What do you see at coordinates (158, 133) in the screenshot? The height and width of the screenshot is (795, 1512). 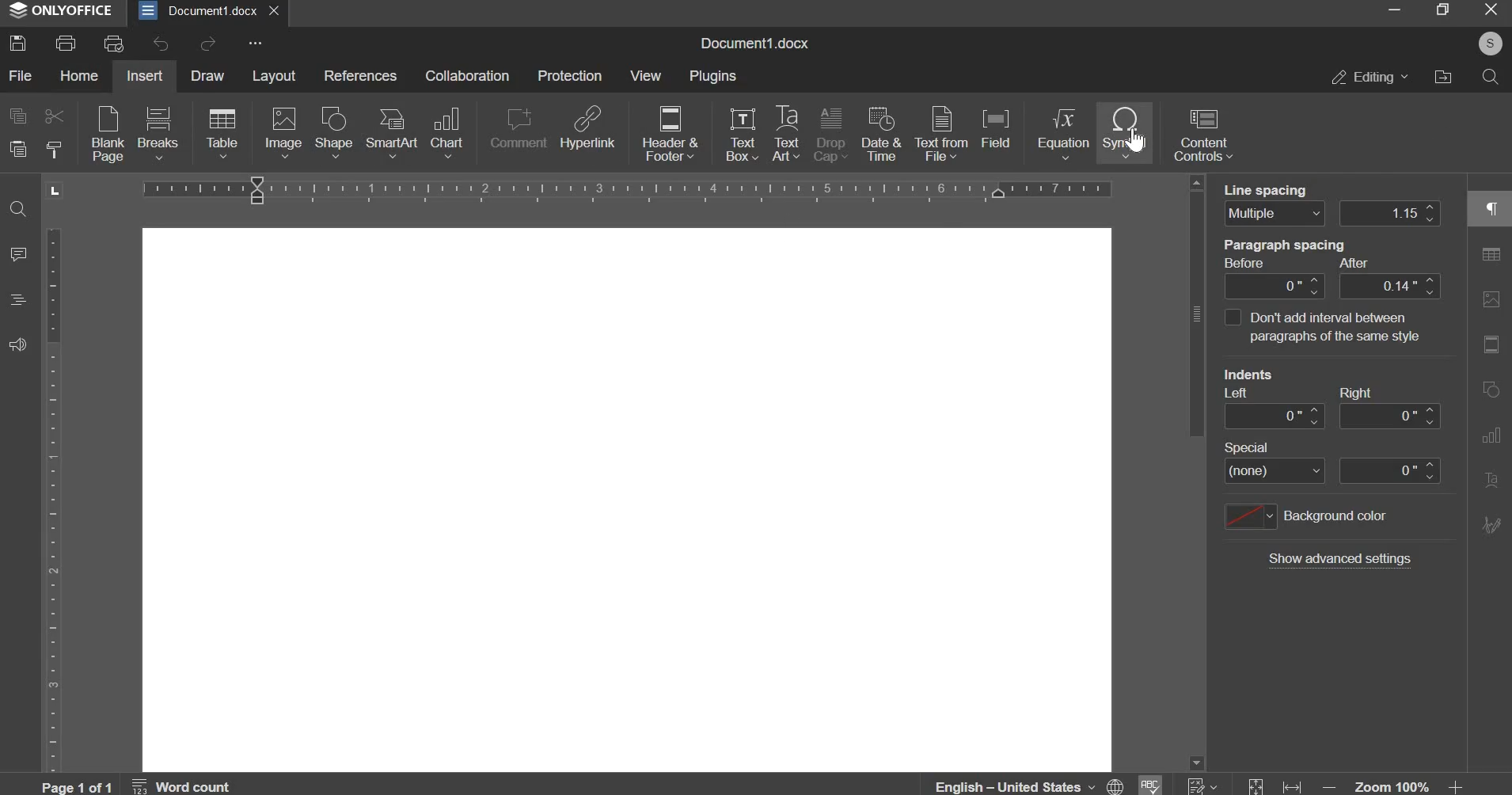 I see `breaks` at bounding box center [158, 133].